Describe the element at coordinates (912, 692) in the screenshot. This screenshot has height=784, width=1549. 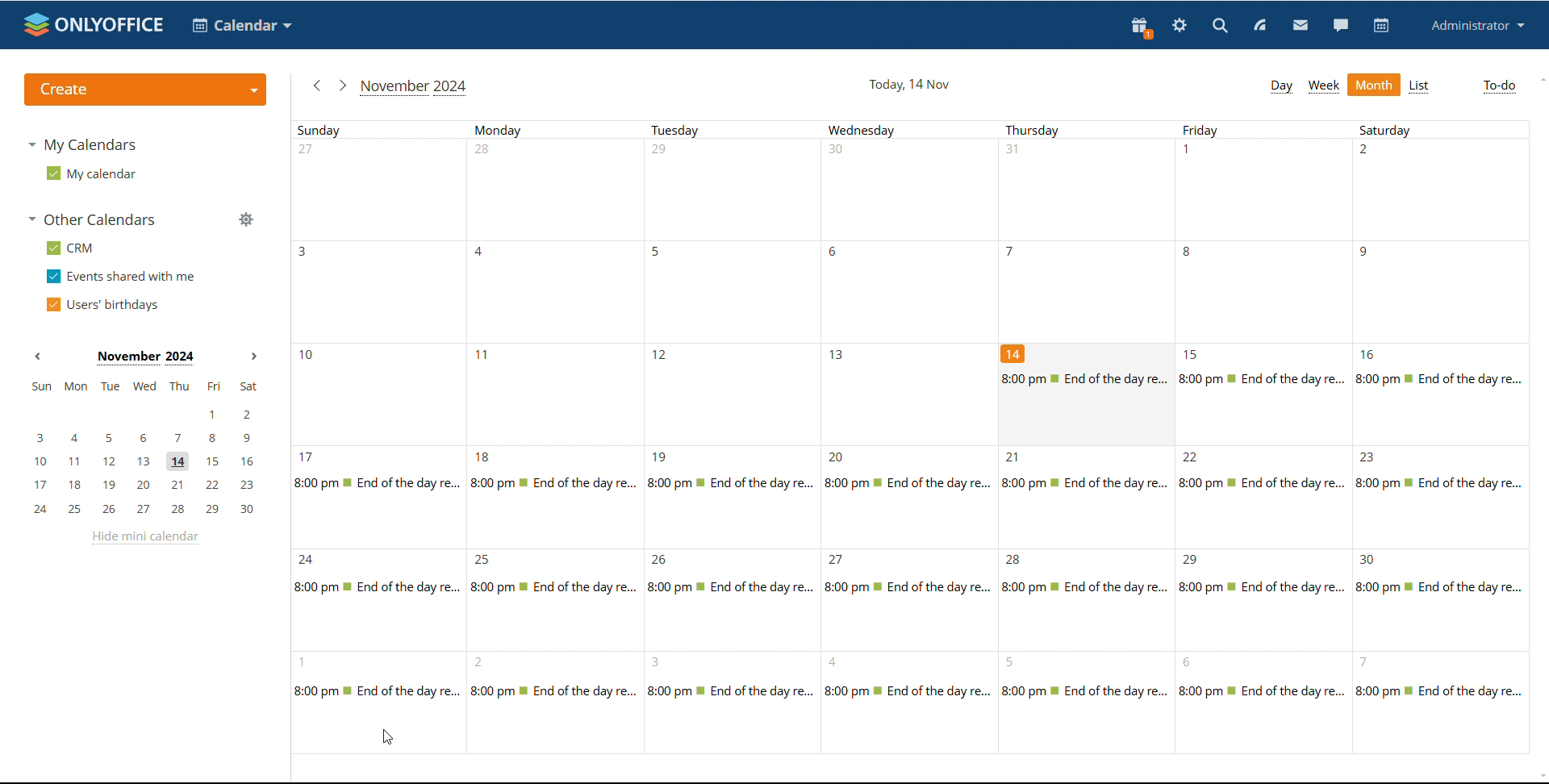
I see `Day details` at that location.